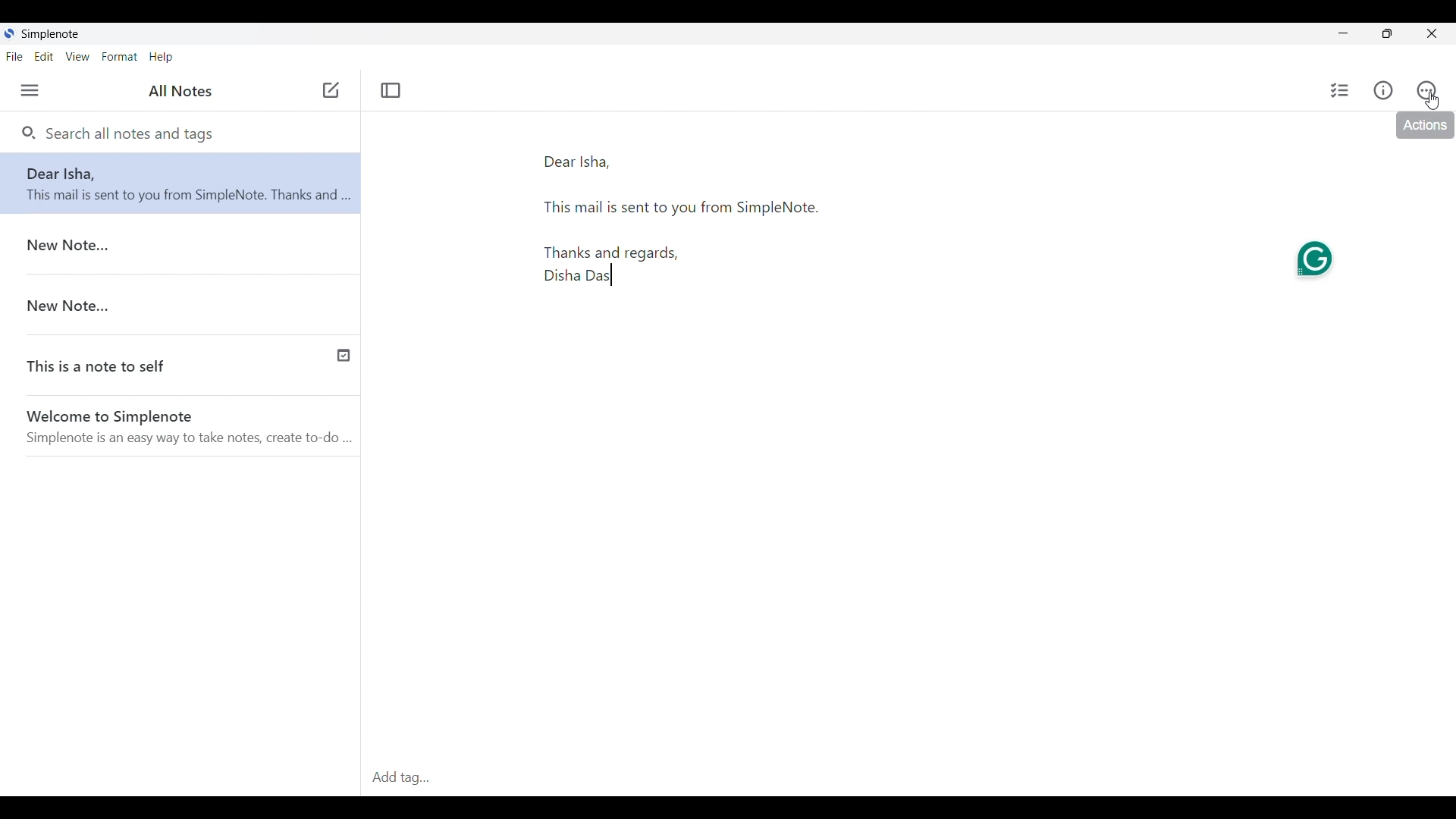 This screenshot has height=819, width=1456. Describe the element at coordinates (162, 57) in the screenshot. I see `Help` at that location.